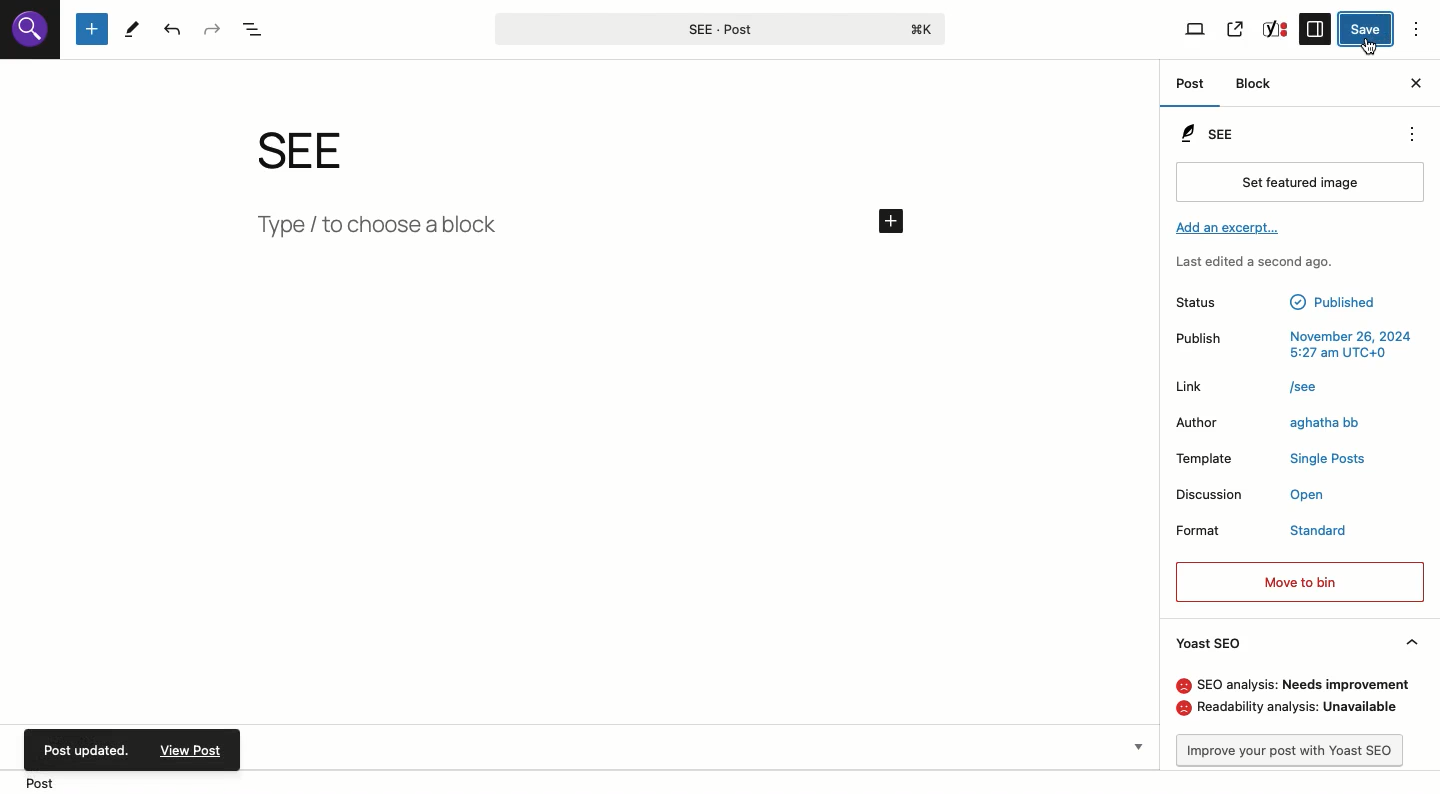  Describe the element at coordinates (132, 749) in the screenshot. I see `Post updated. view post` at that location.